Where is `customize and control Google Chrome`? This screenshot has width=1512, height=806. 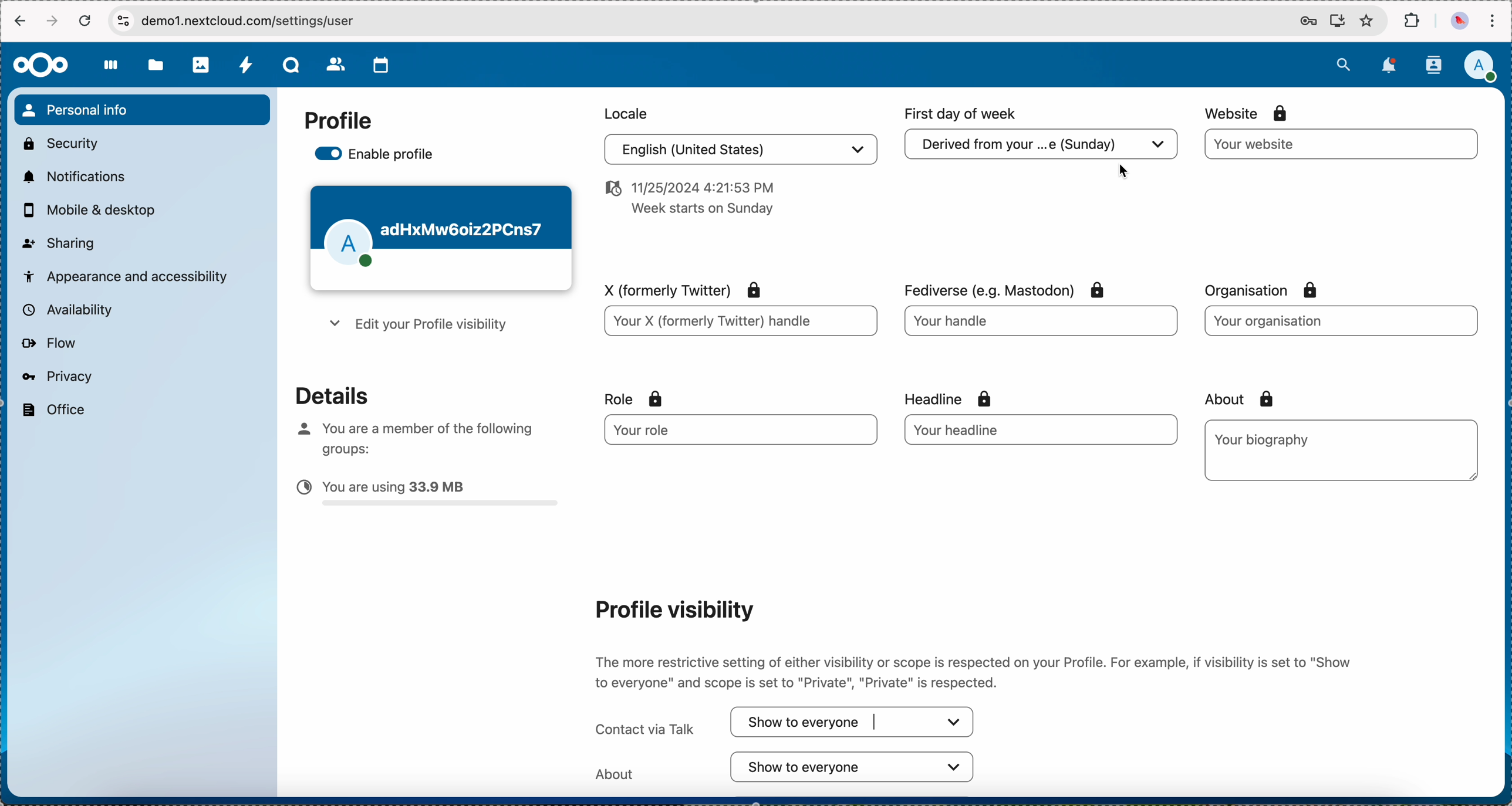
customize and control Google Chrome is located at coordinates (1492, 21).